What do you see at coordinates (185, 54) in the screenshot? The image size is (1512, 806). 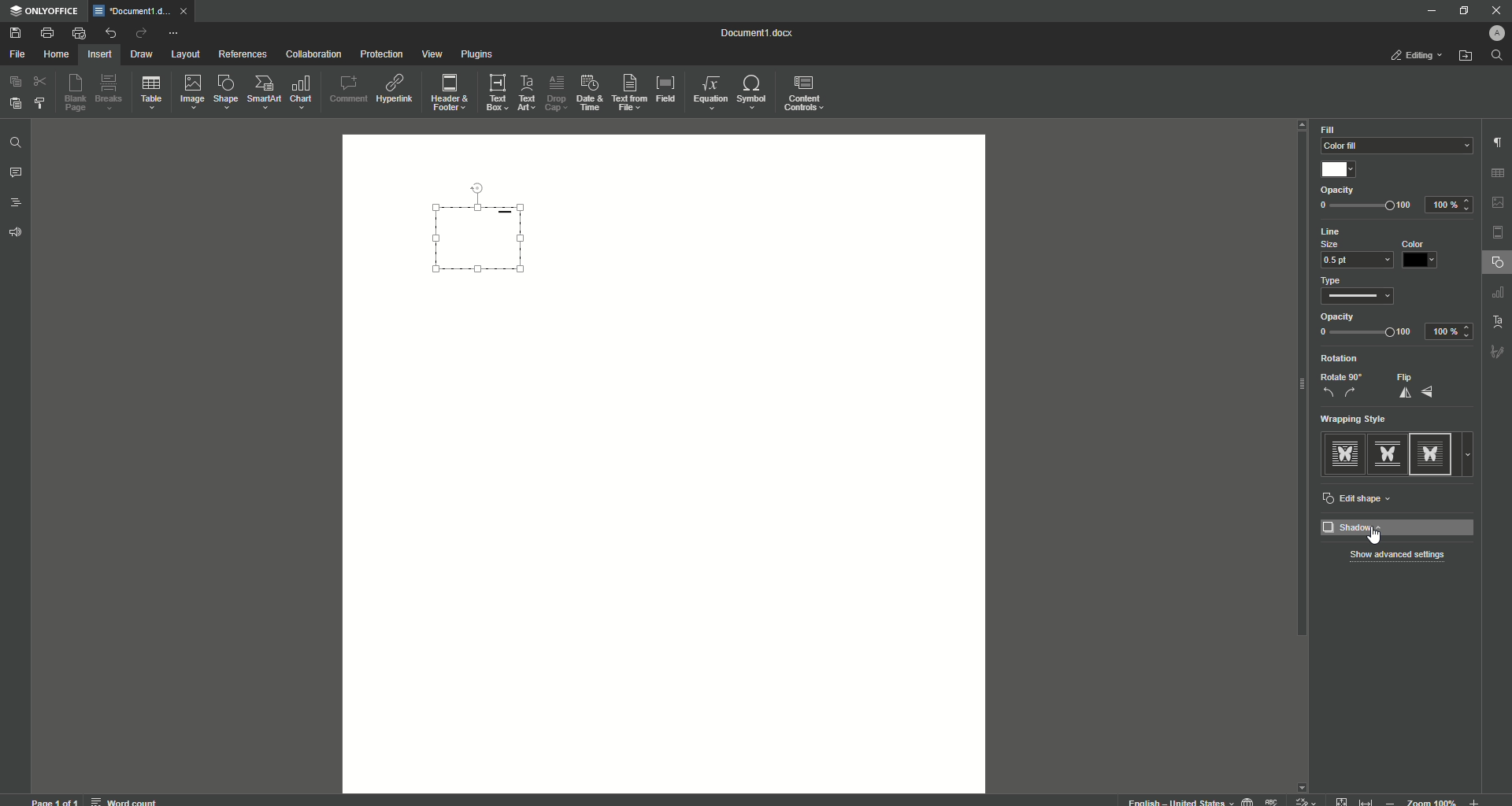 I see `Layout` at bounding box center [185, 54].